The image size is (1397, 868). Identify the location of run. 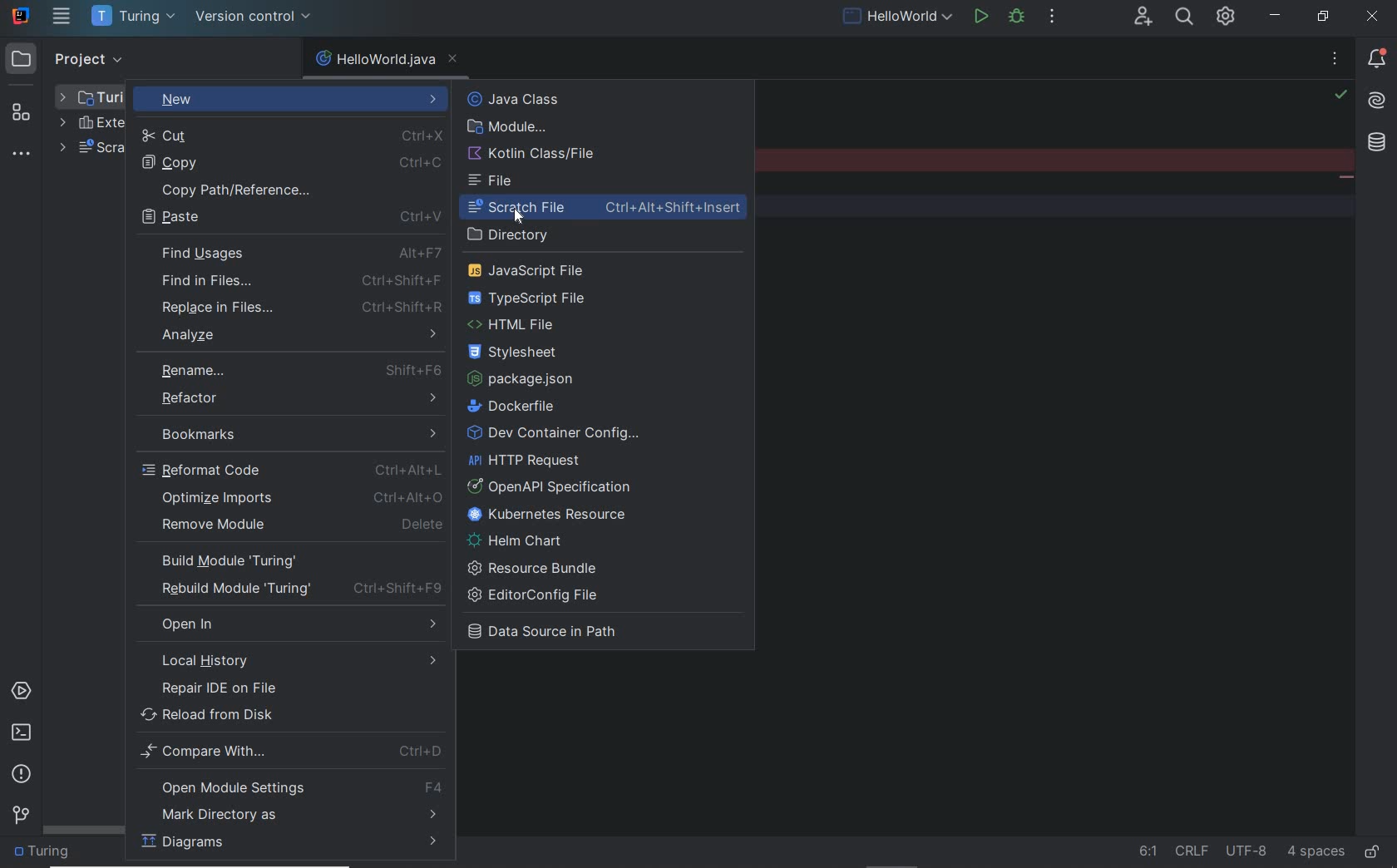
(981, 18).